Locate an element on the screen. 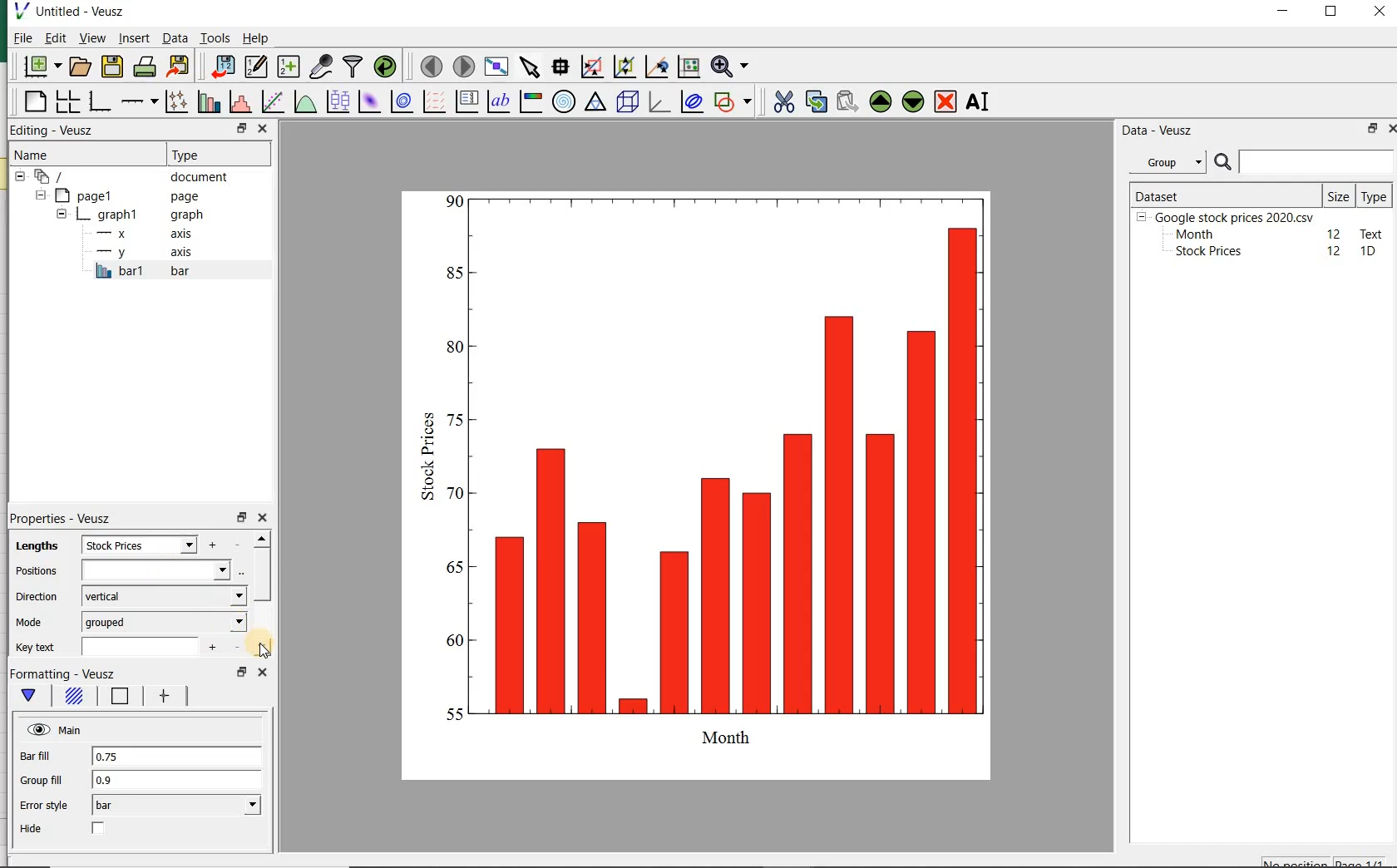  polar graph is located at coordinates (563, 101).